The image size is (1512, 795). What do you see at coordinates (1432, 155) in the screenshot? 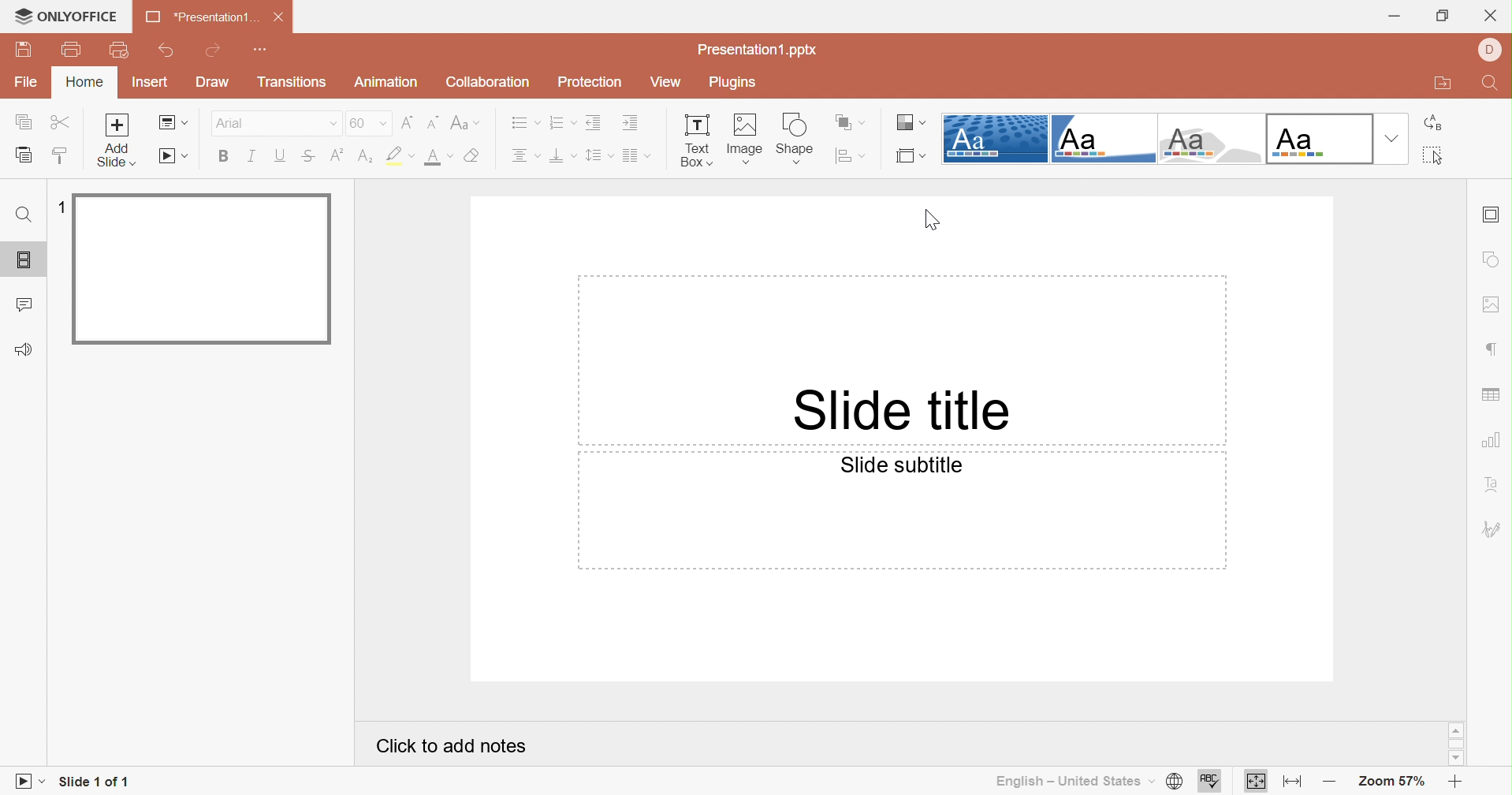
I see `Select all` at bounding box center [1432, 155].